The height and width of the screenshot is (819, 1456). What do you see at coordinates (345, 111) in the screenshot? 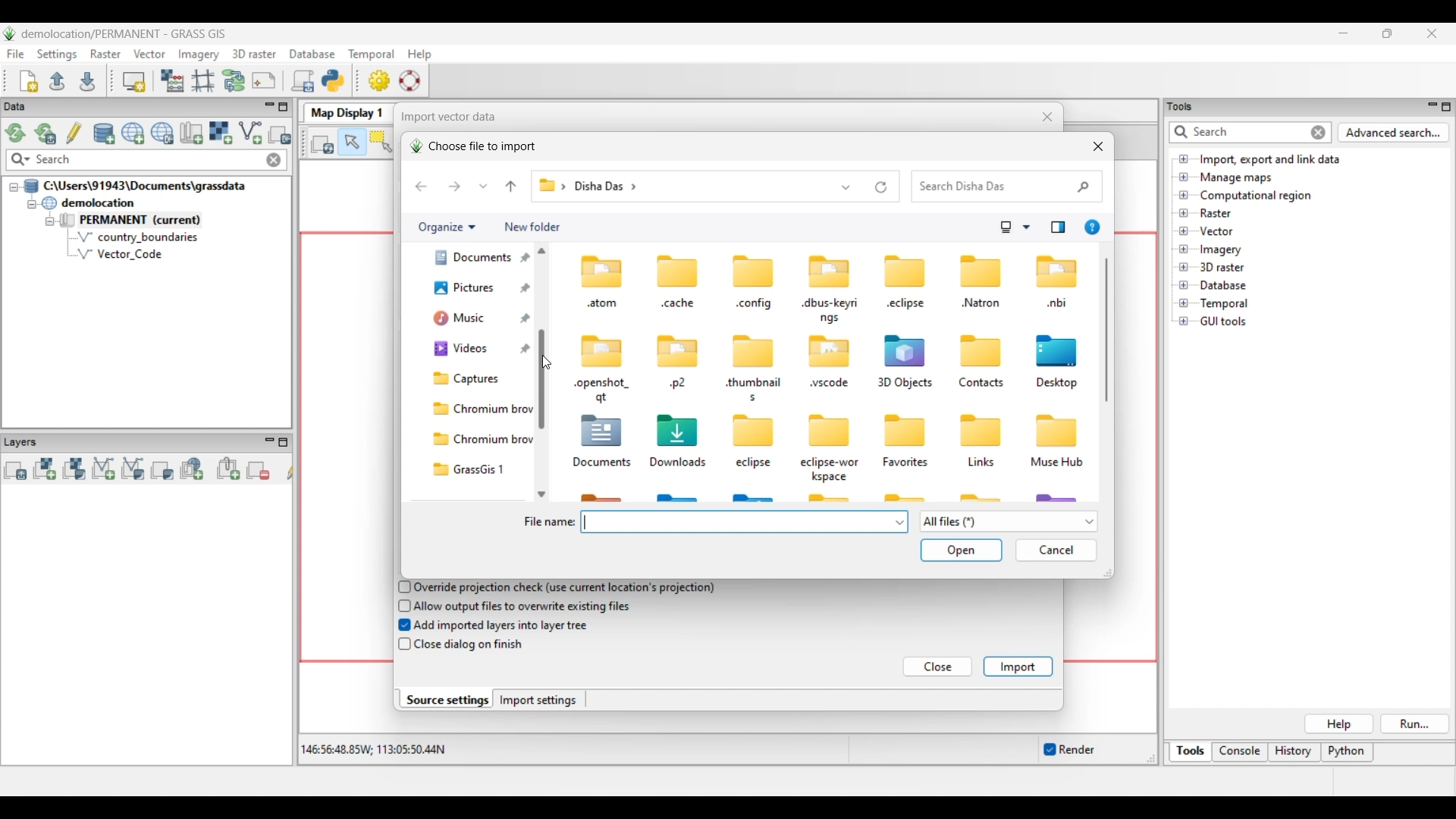
I see `Map Display 1 tab` at bounding box center [345, 111].